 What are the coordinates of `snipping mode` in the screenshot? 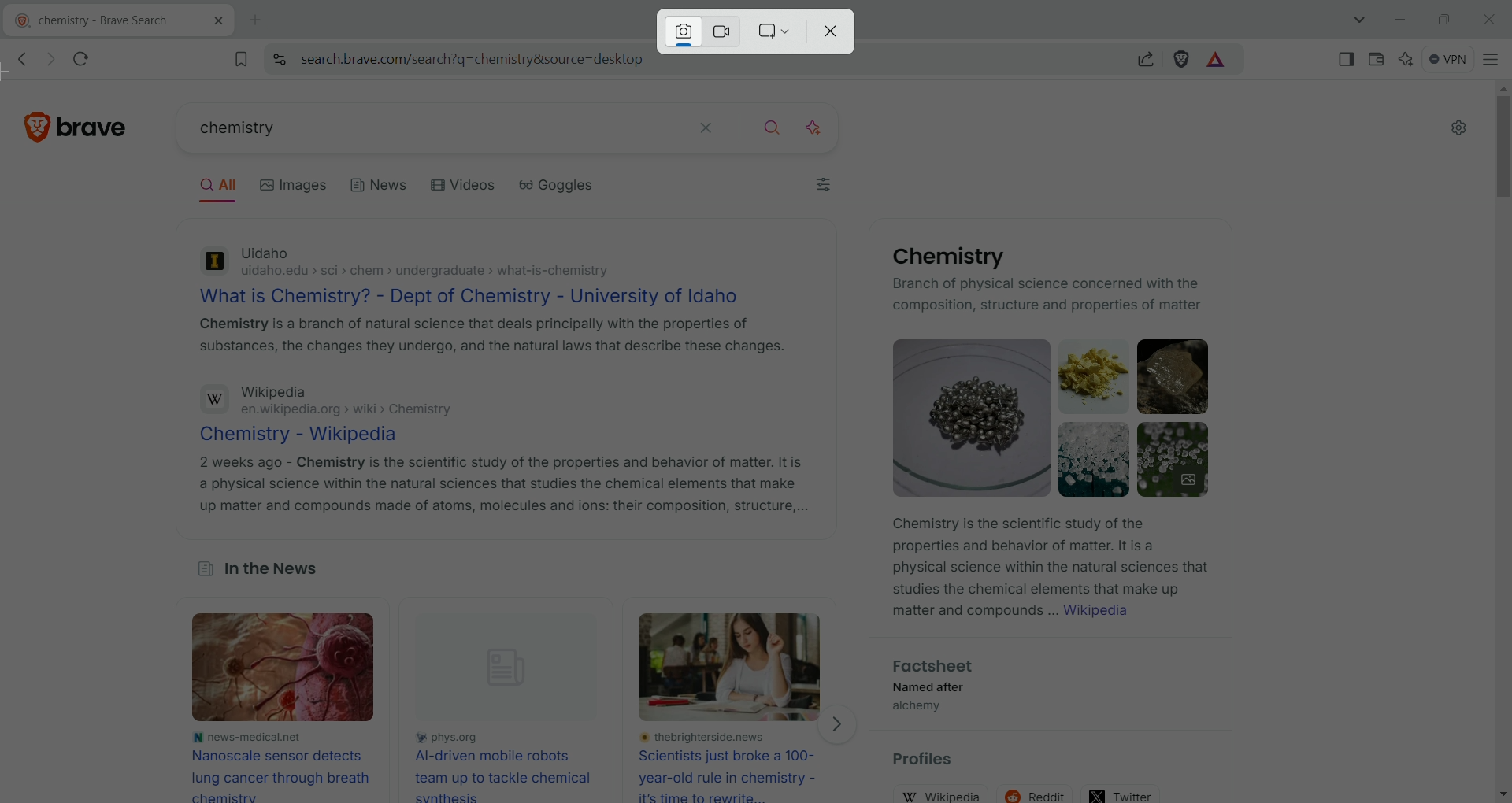 It's located at (774, 31).